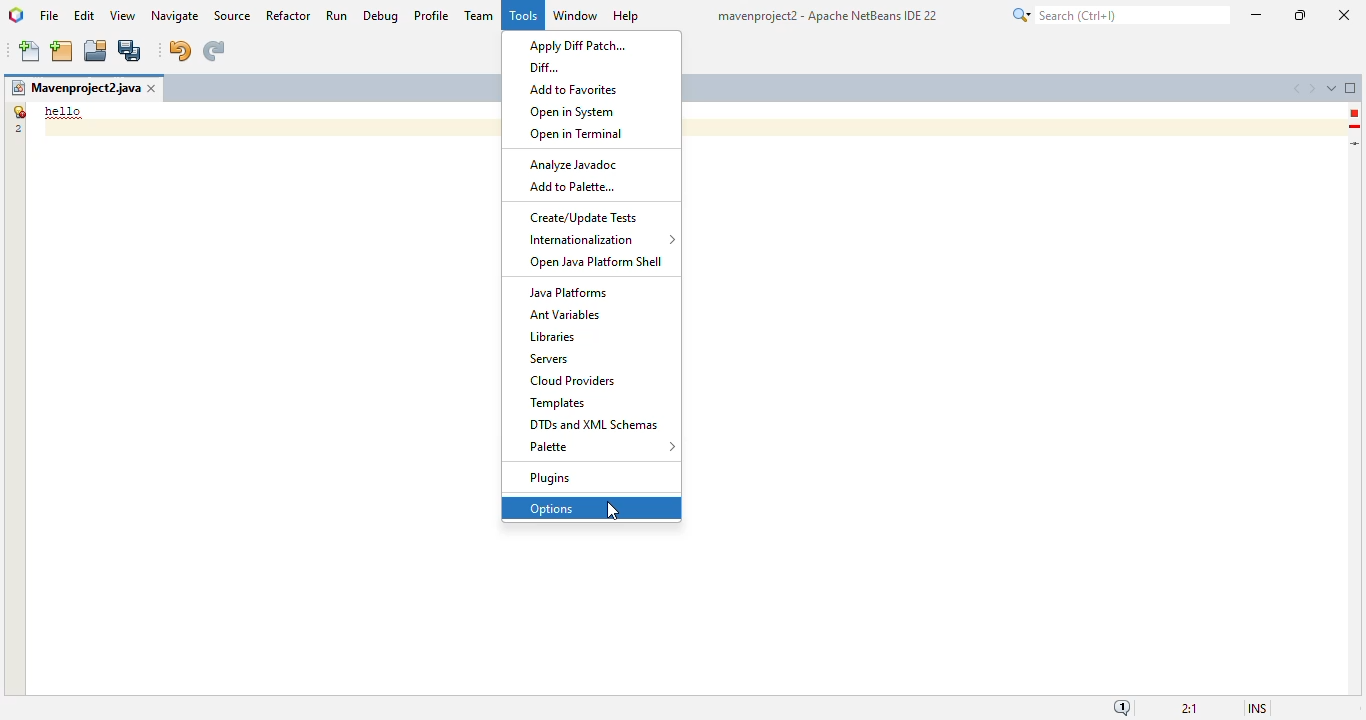 The image size is (1366, 720). What do you see at coordinates (17, 119) in the screenshot?
I see `line numbers` at bounding box center [17, 119].